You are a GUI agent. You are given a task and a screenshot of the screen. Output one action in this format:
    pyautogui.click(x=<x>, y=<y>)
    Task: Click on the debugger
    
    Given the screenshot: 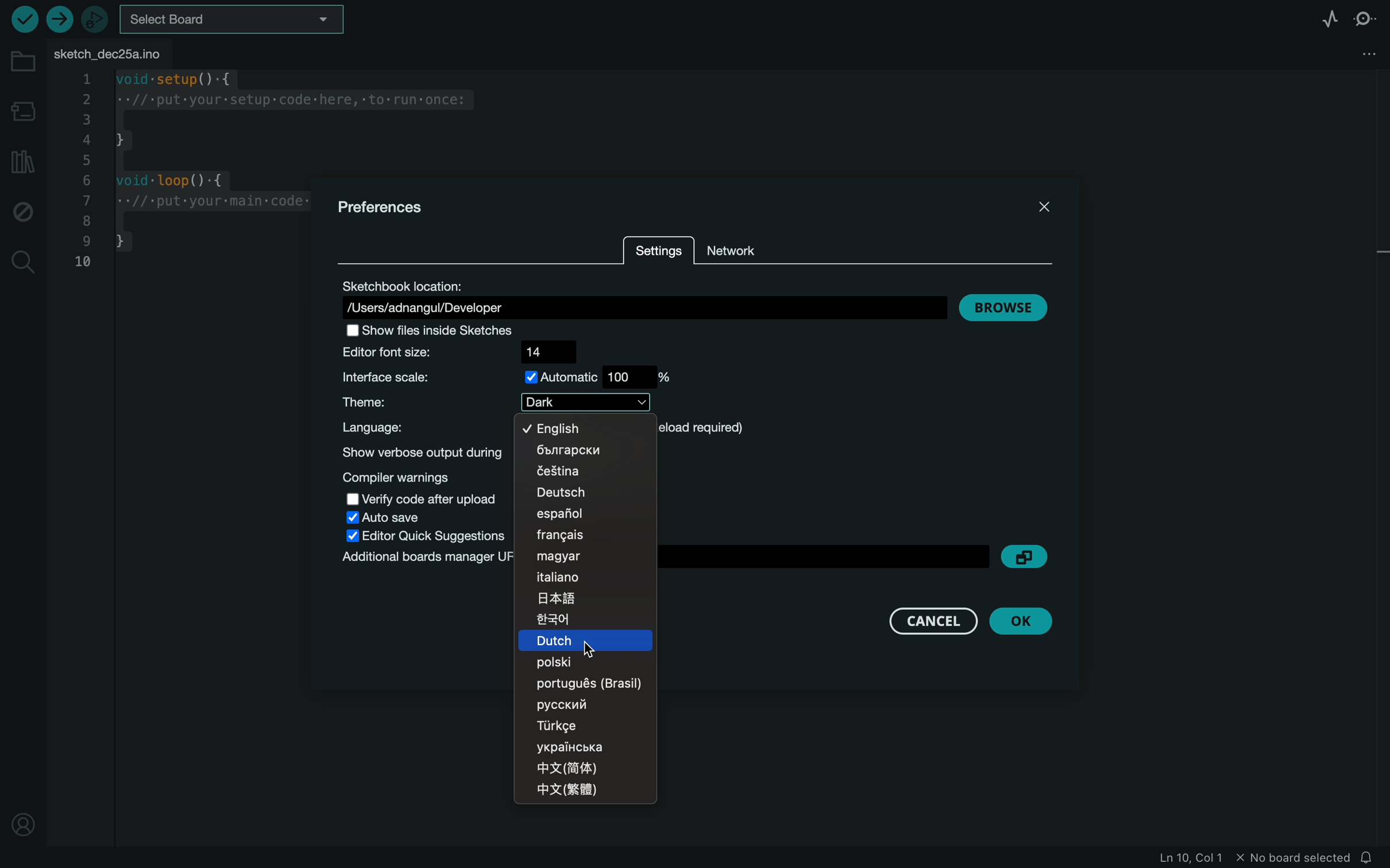 What is the action you would take?
    pyautogui.click(x=95, y=19)
    